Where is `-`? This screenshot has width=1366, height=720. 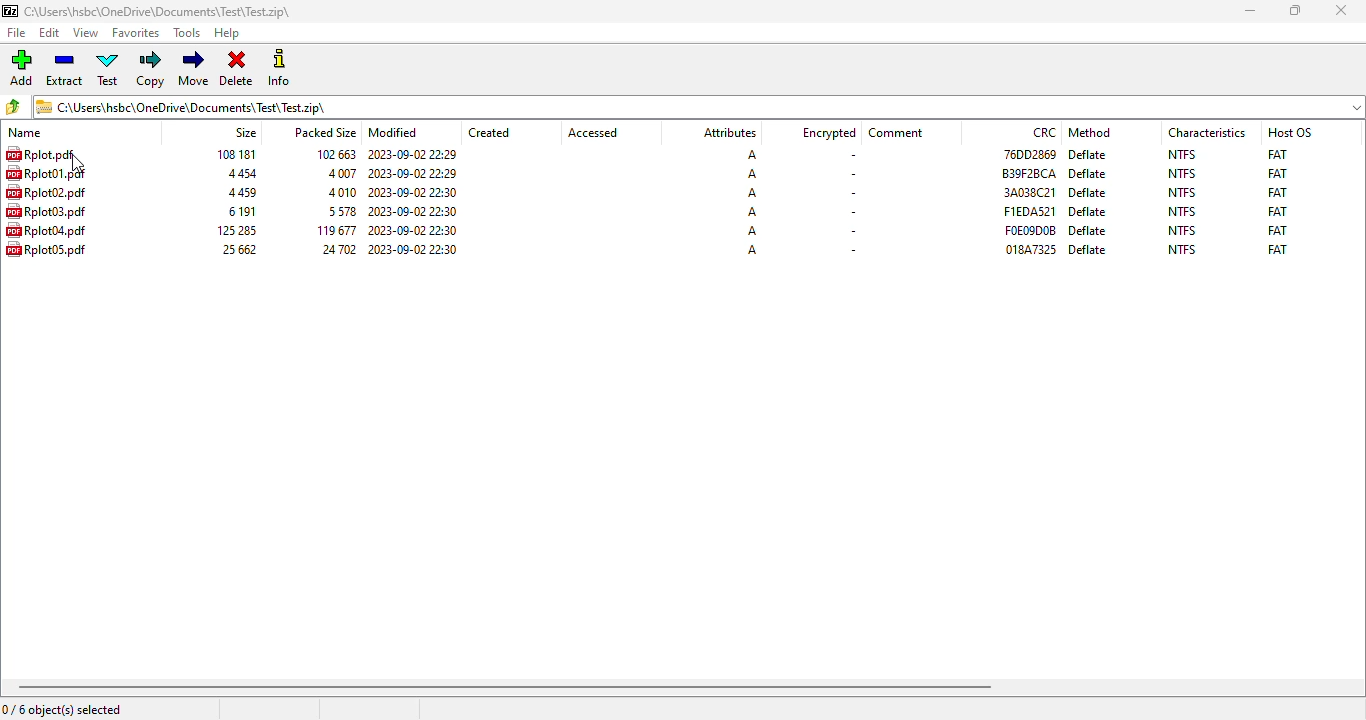 - is located at coordinates (850, 156).